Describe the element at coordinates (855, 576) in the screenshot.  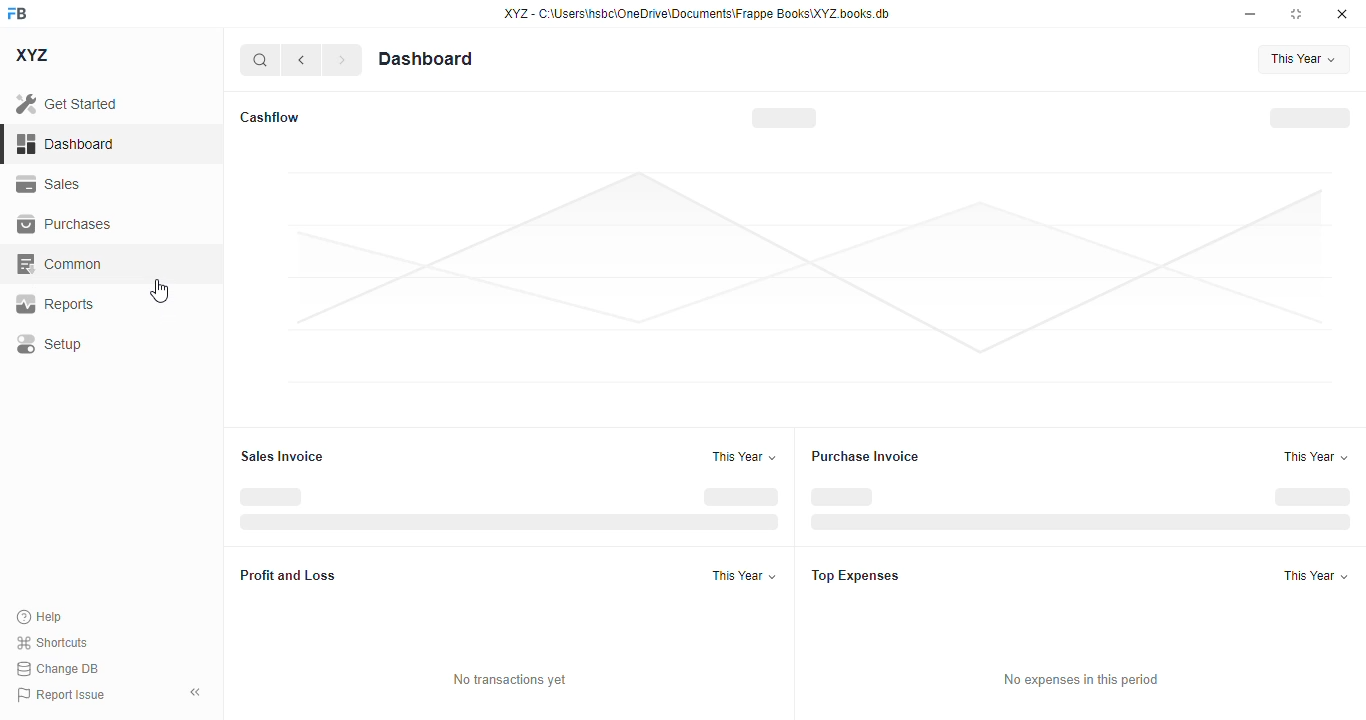
I see `top expenses` at that location.